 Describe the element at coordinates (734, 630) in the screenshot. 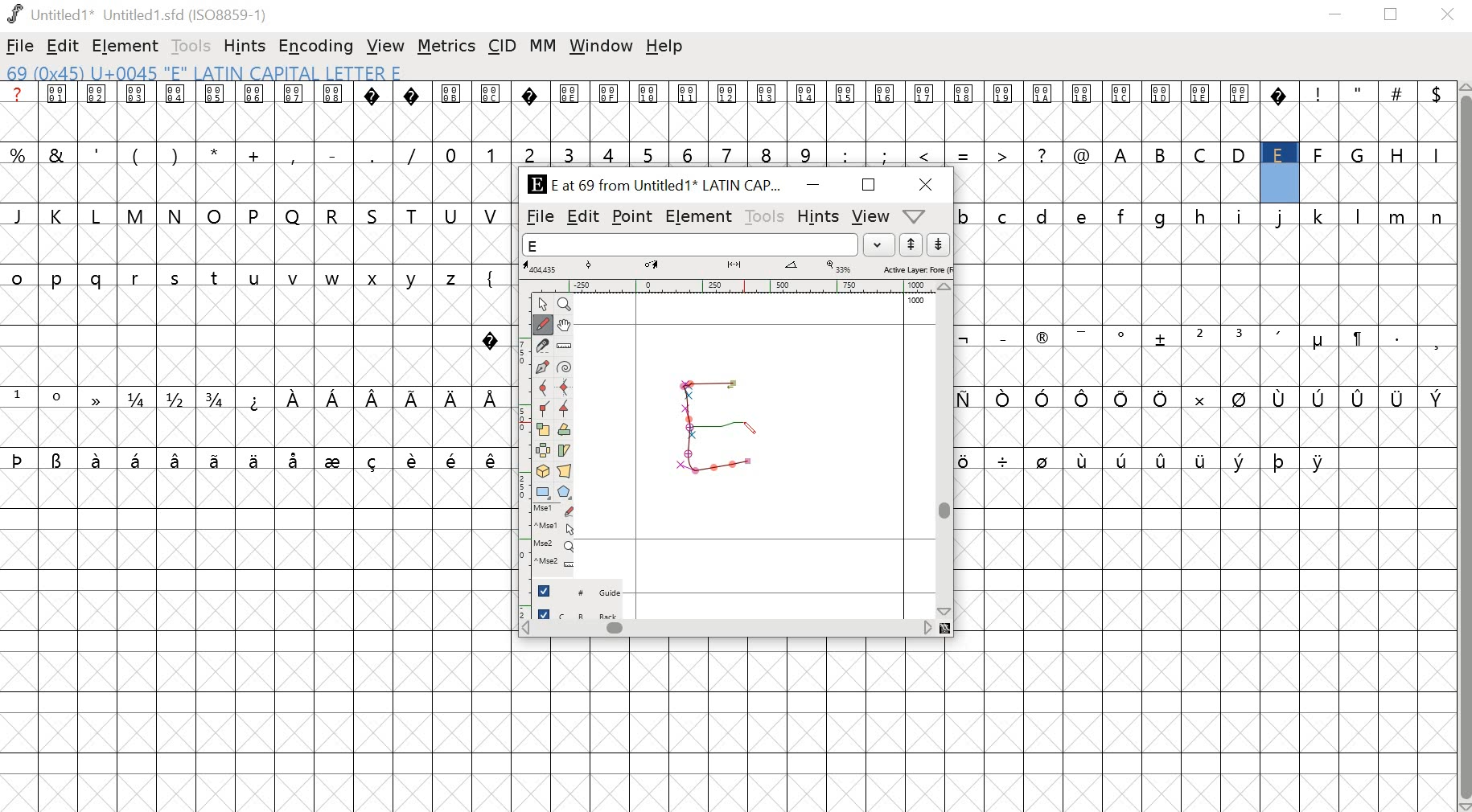

I see `scrollbar` at that location.